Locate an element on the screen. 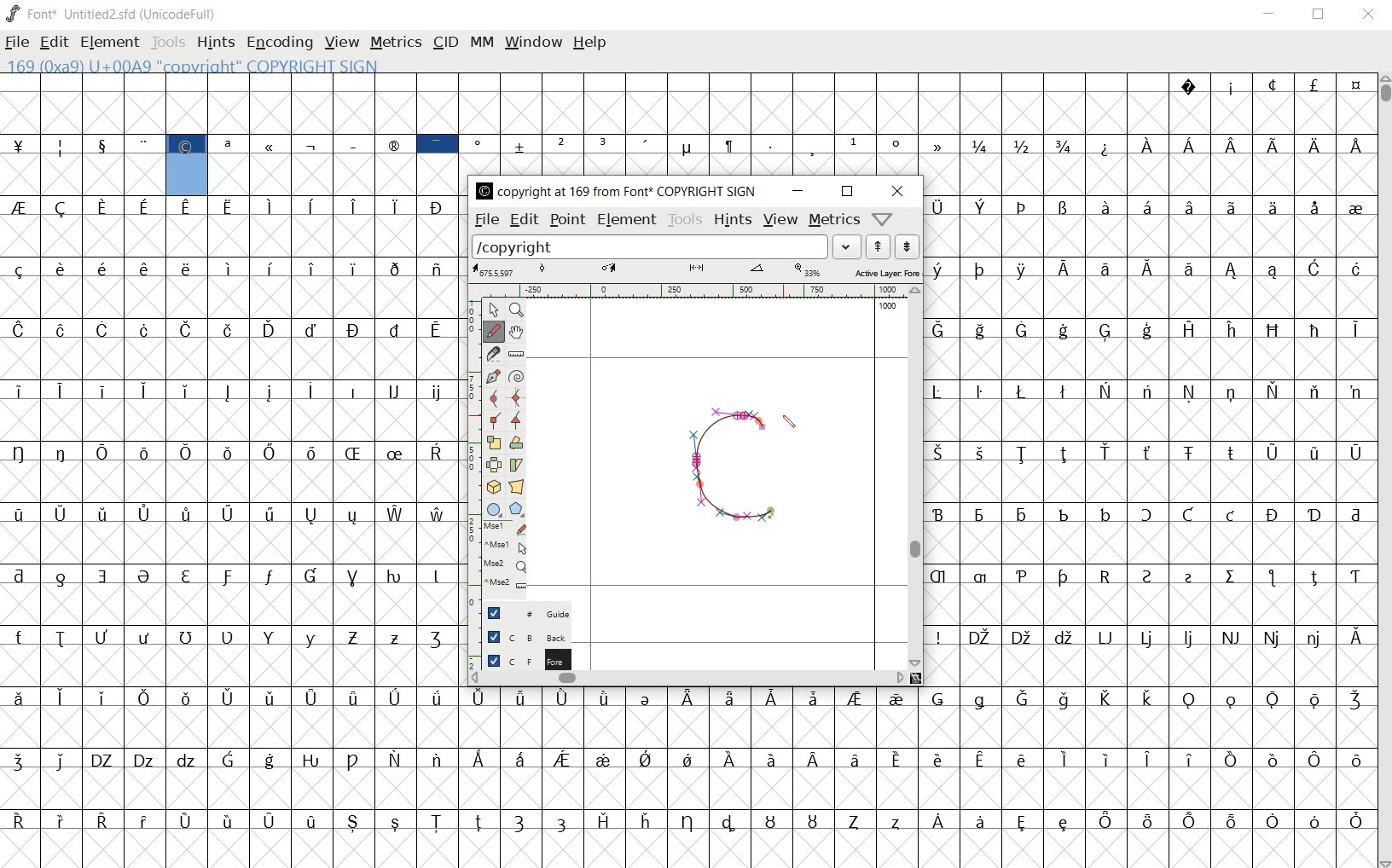  metrics is located at coordinates (832, 219).